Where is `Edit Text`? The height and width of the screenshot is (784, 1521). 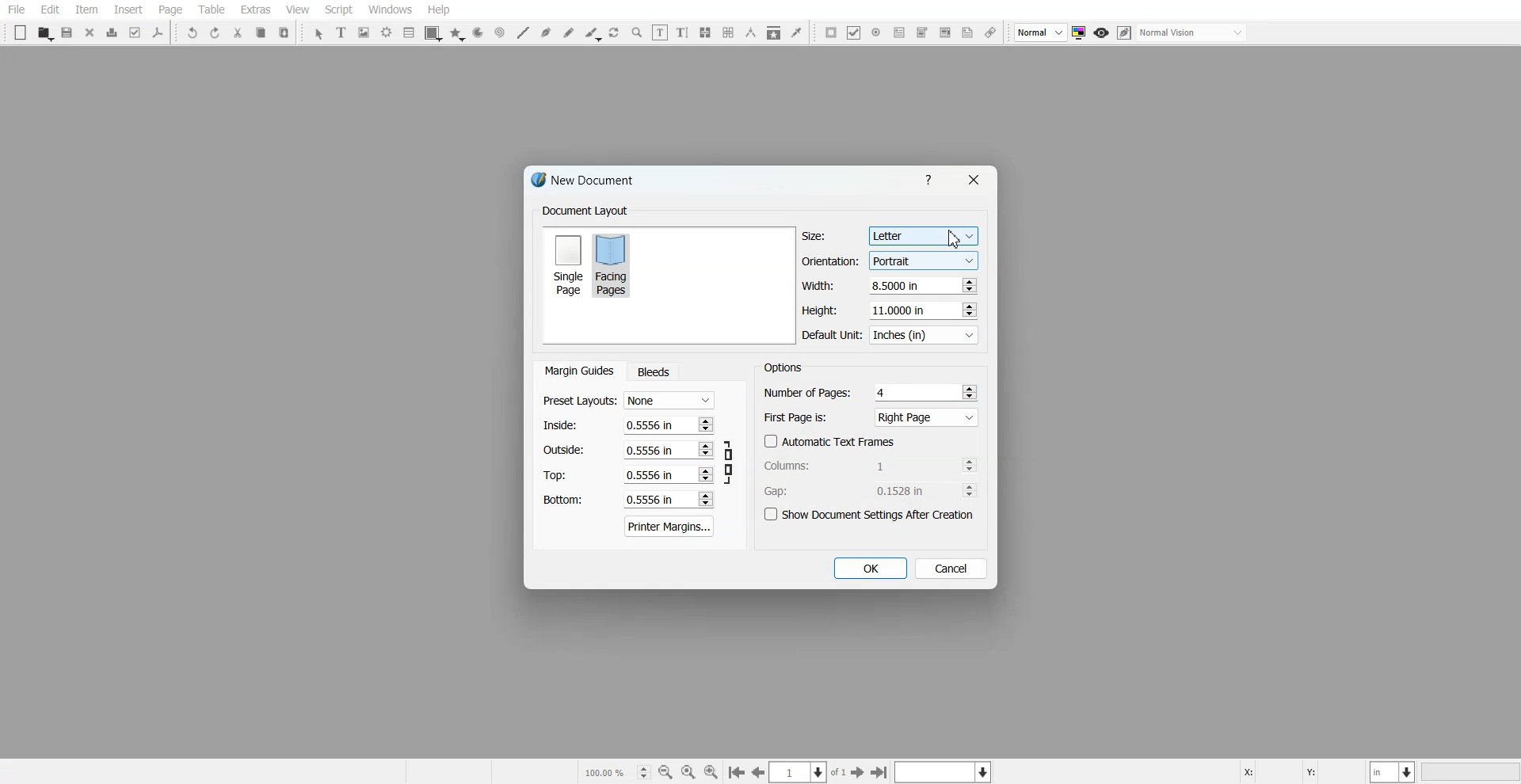 Edit Text is located at coordinates (682, 32).